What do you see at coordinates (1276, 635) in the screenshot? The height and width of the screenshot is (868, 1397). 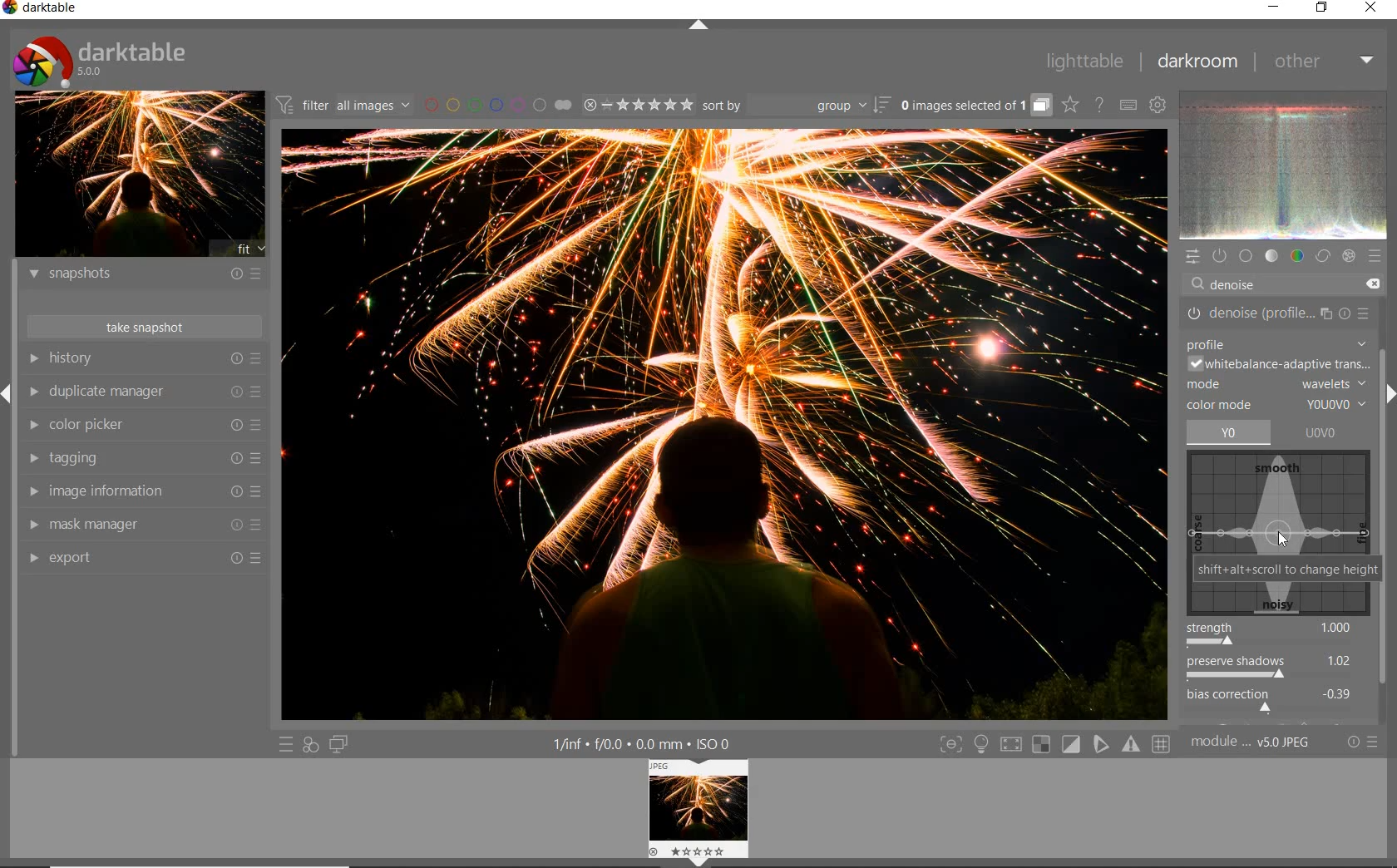 I see `strength` at bounding box center [1276, 635].